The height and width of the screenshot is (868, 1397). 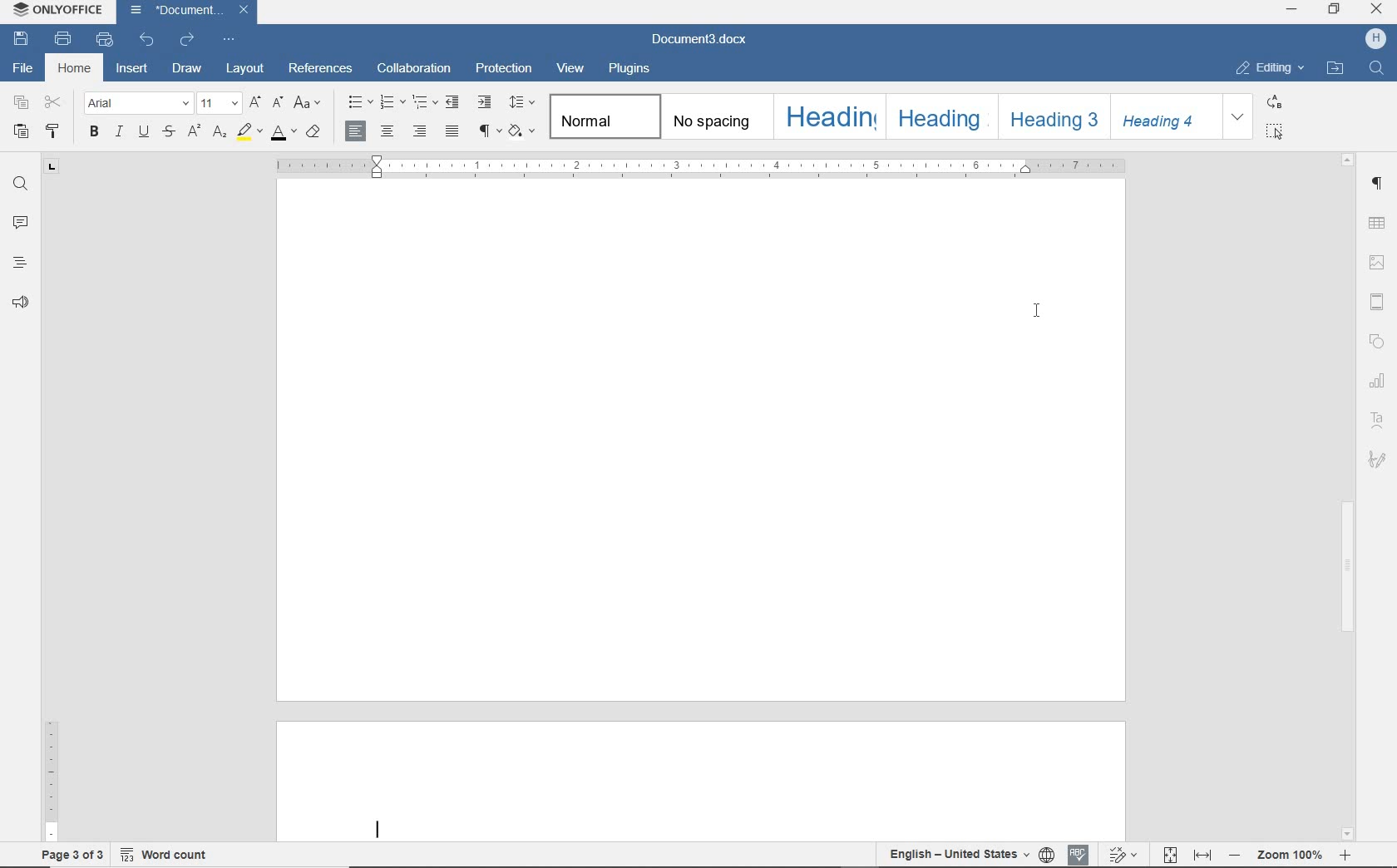 What do you see at coordinates (233, 37) in the screenshot?
I see `Customize quick access toolbar` at bounding box center [233, 37].